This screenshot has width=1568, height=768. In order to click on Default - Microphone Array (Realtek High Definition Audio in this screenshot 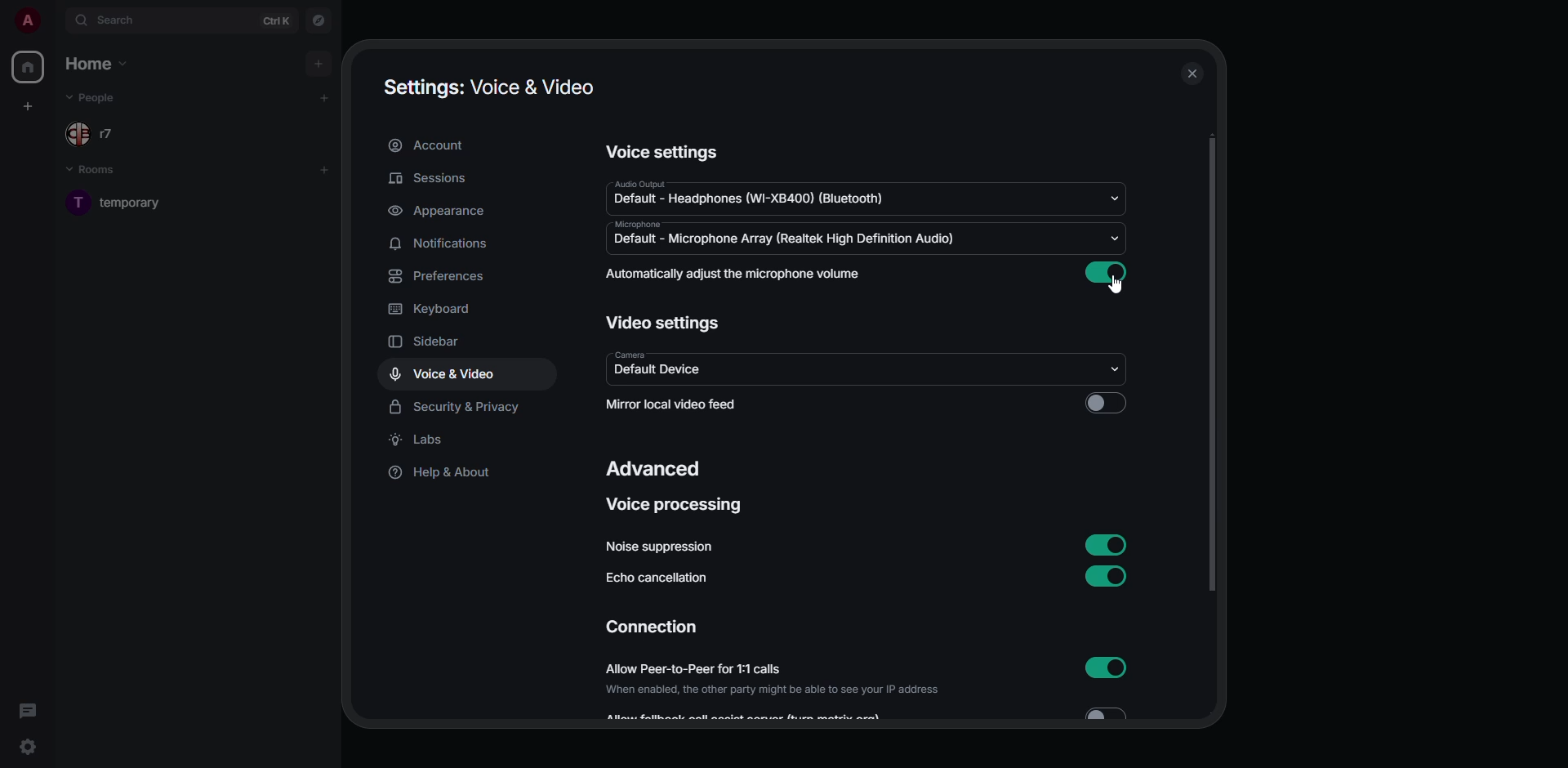, I will do `click(787, 240)`.